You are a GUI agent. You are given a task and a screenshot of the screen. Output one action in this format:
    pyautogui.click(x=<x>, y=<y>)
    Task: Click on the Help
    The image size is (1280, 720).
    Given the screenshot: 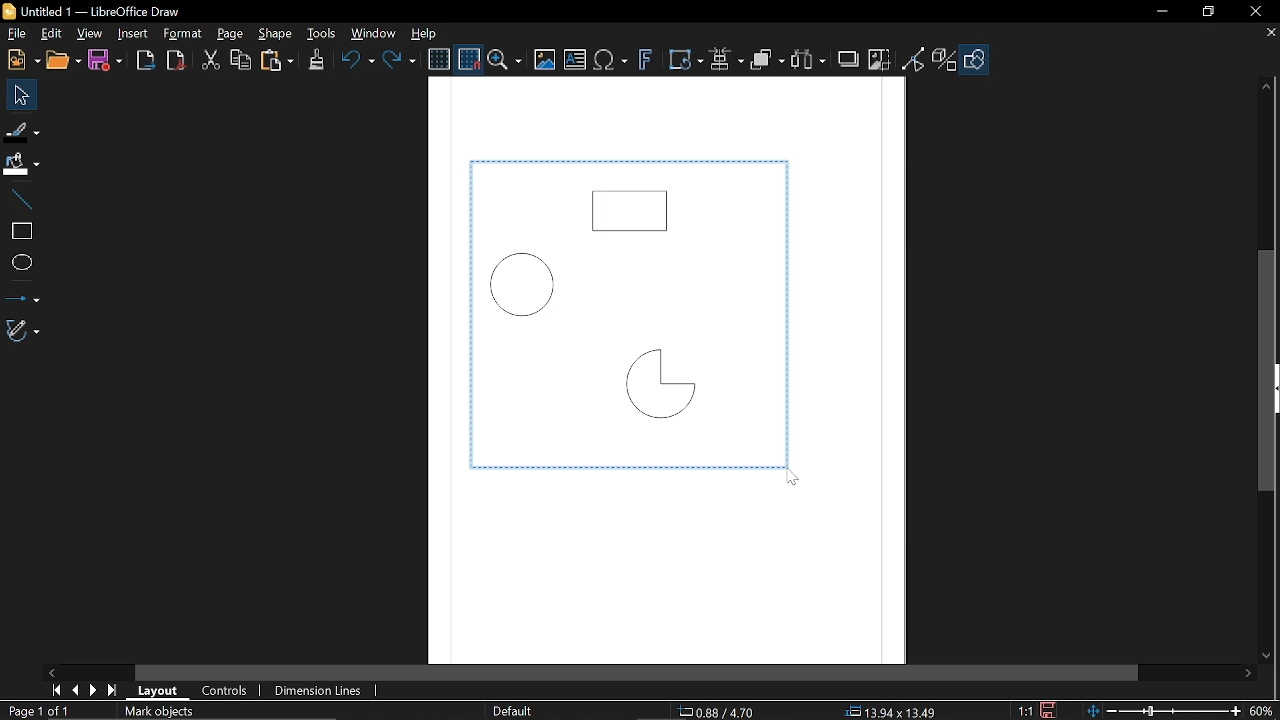 What is the action you would take?
    pyautogui.click(x=421, y=34)
    